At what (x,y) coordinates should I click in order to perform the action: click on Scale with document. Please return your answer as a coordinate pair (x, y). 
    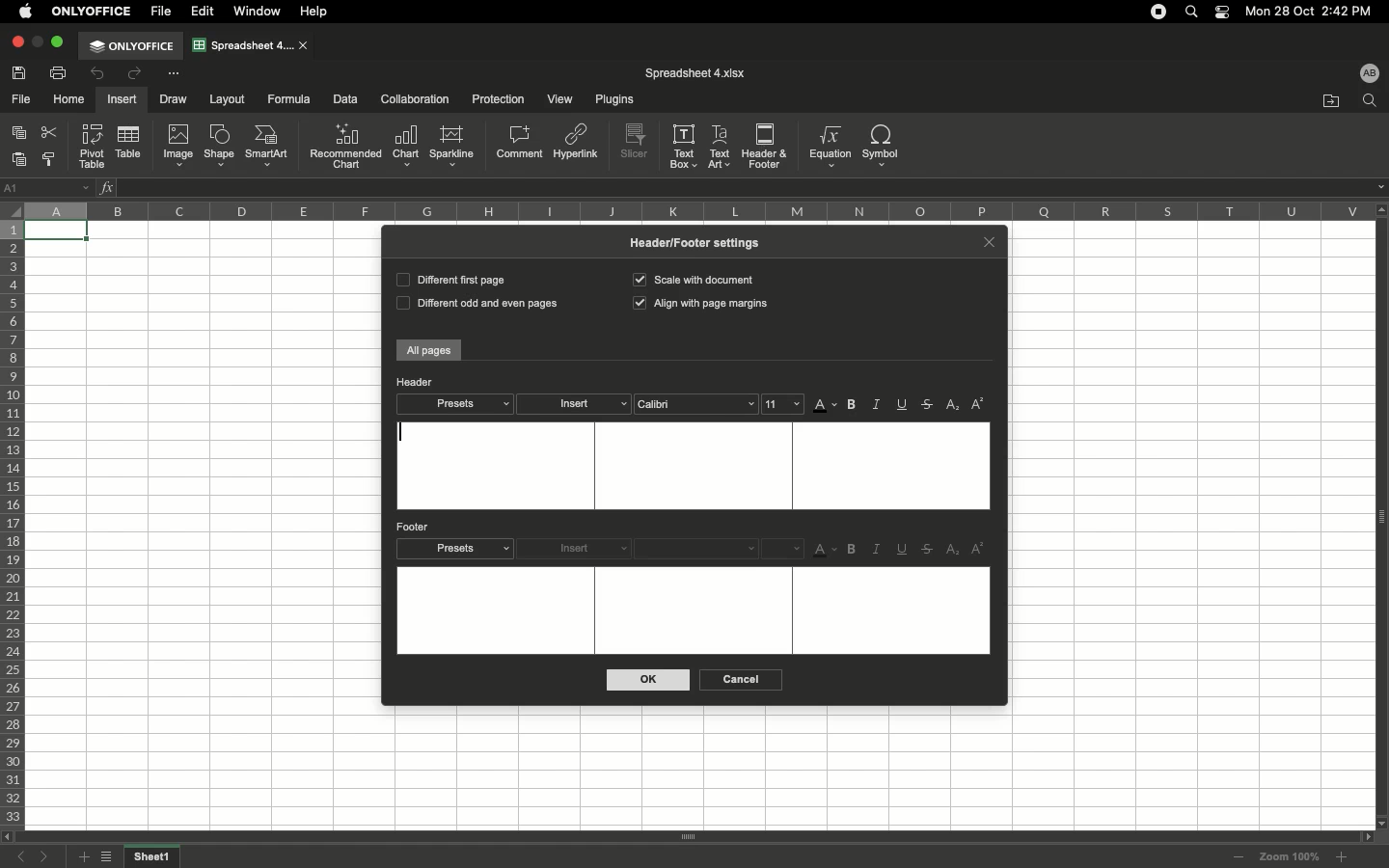
    Looking at the image, I should click on (693, 279).